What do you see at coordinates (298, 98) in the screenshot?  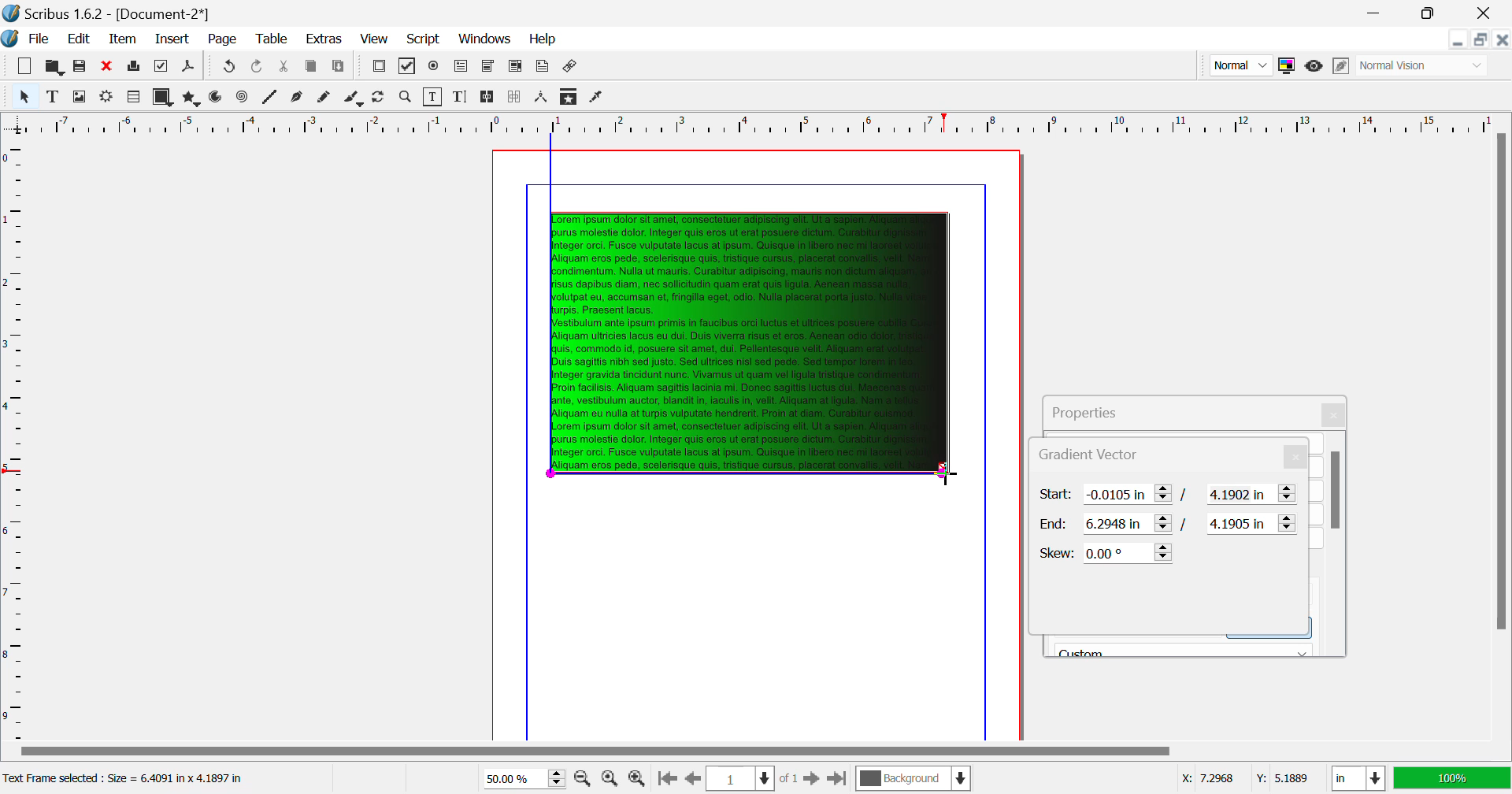 I see `Bezier Curve` at bounding box center [298, 98].